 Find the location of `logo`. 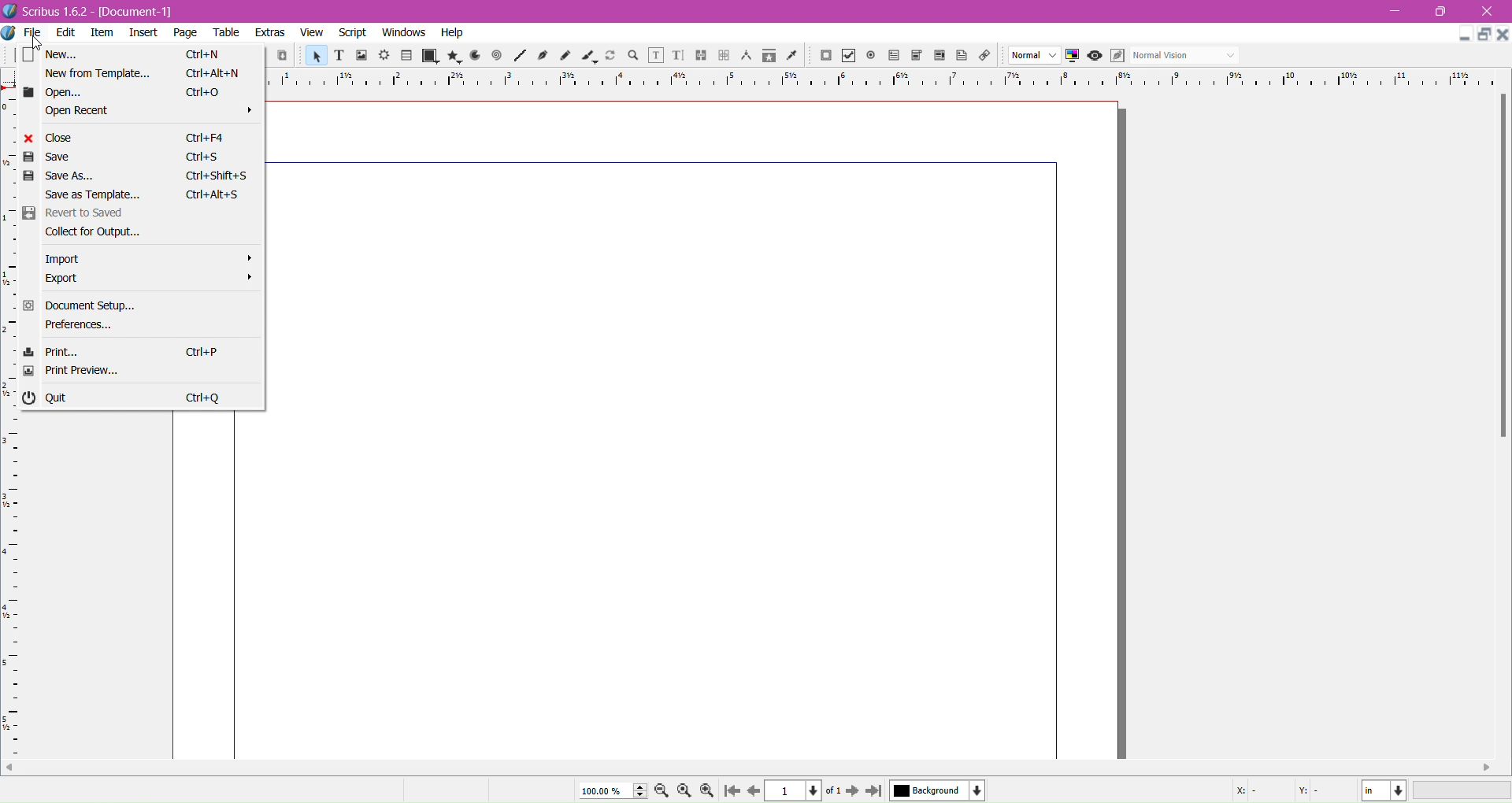

logo is located at coordinates (10, 9).